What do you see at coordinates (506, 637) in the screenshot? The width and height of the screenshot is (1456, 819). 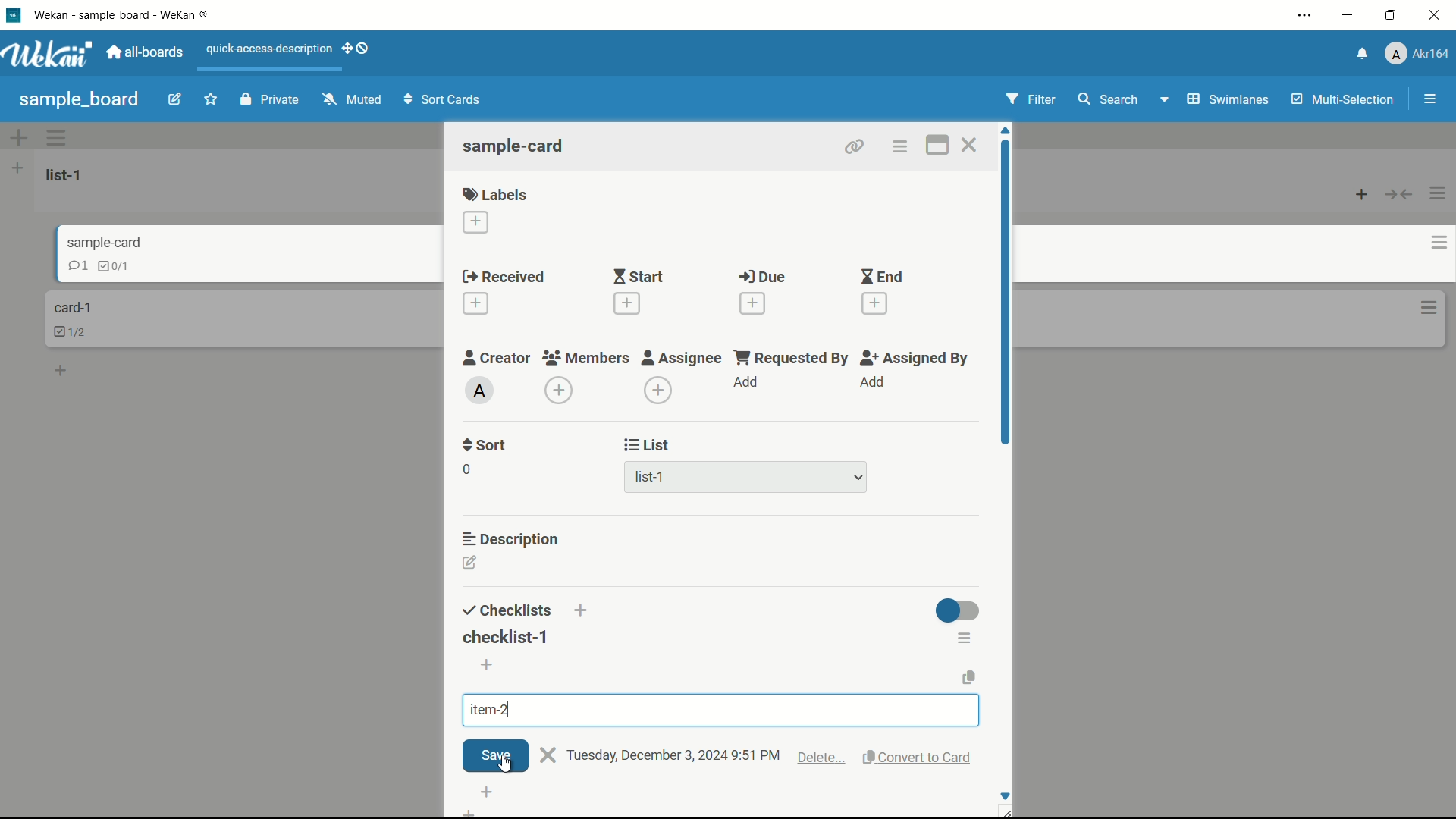 I see `checklist-1` at bounding box center [506, 637].